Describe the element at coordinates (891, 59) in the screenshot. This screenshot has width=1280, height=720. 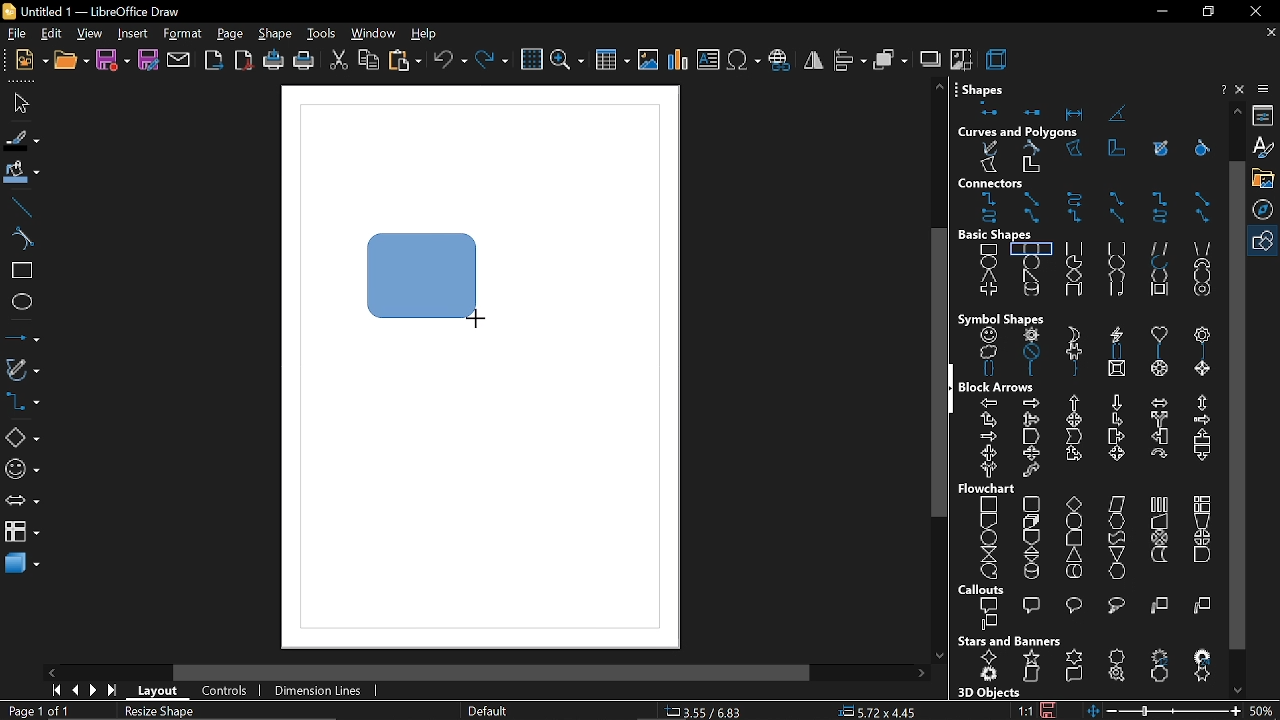
I see `arrange` at that location.